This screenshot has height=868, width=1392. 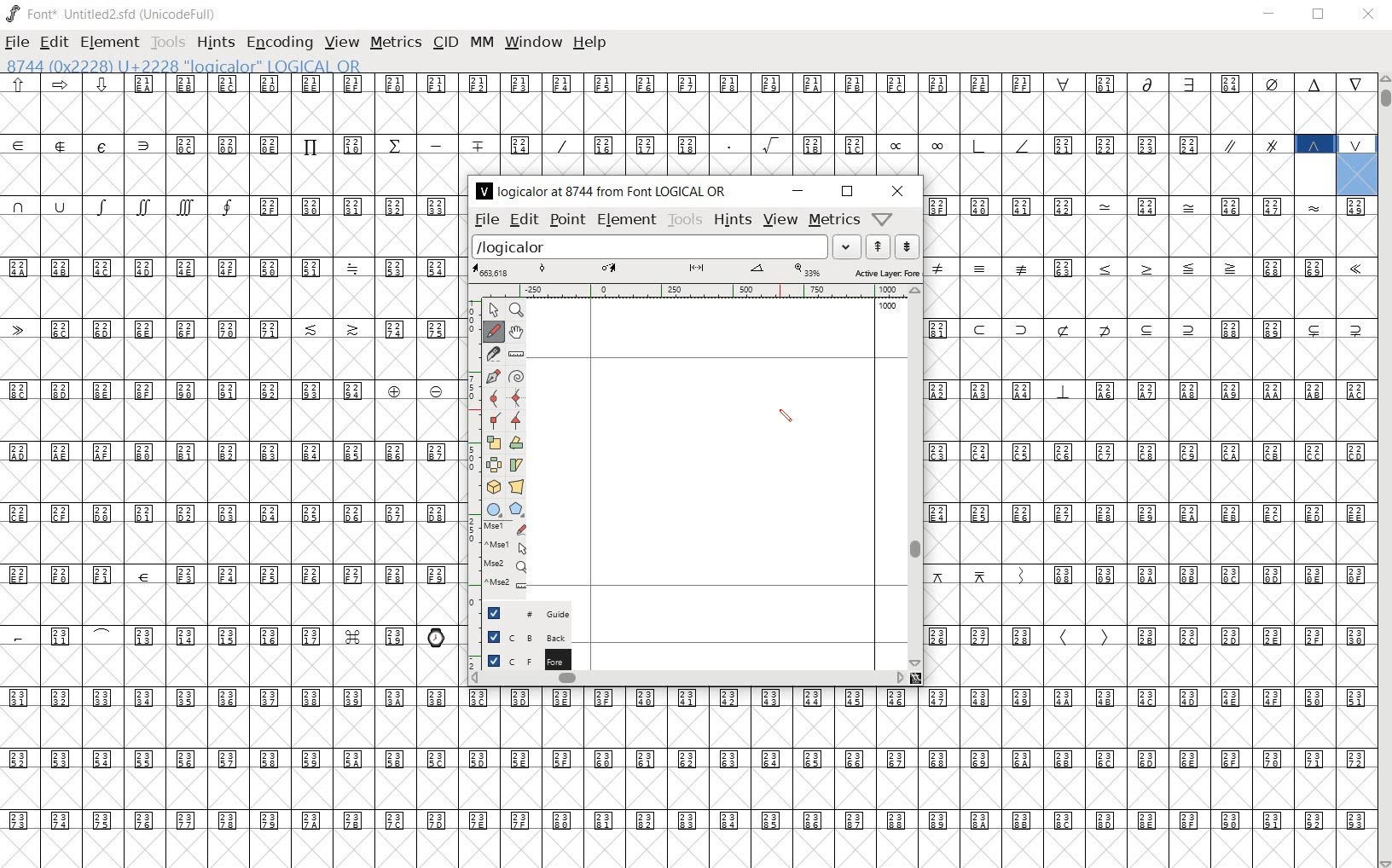 I want to click on 8744 (0x2228) U+2228 "logicalor" LOGICAL OR, so click(x=190, y=65).